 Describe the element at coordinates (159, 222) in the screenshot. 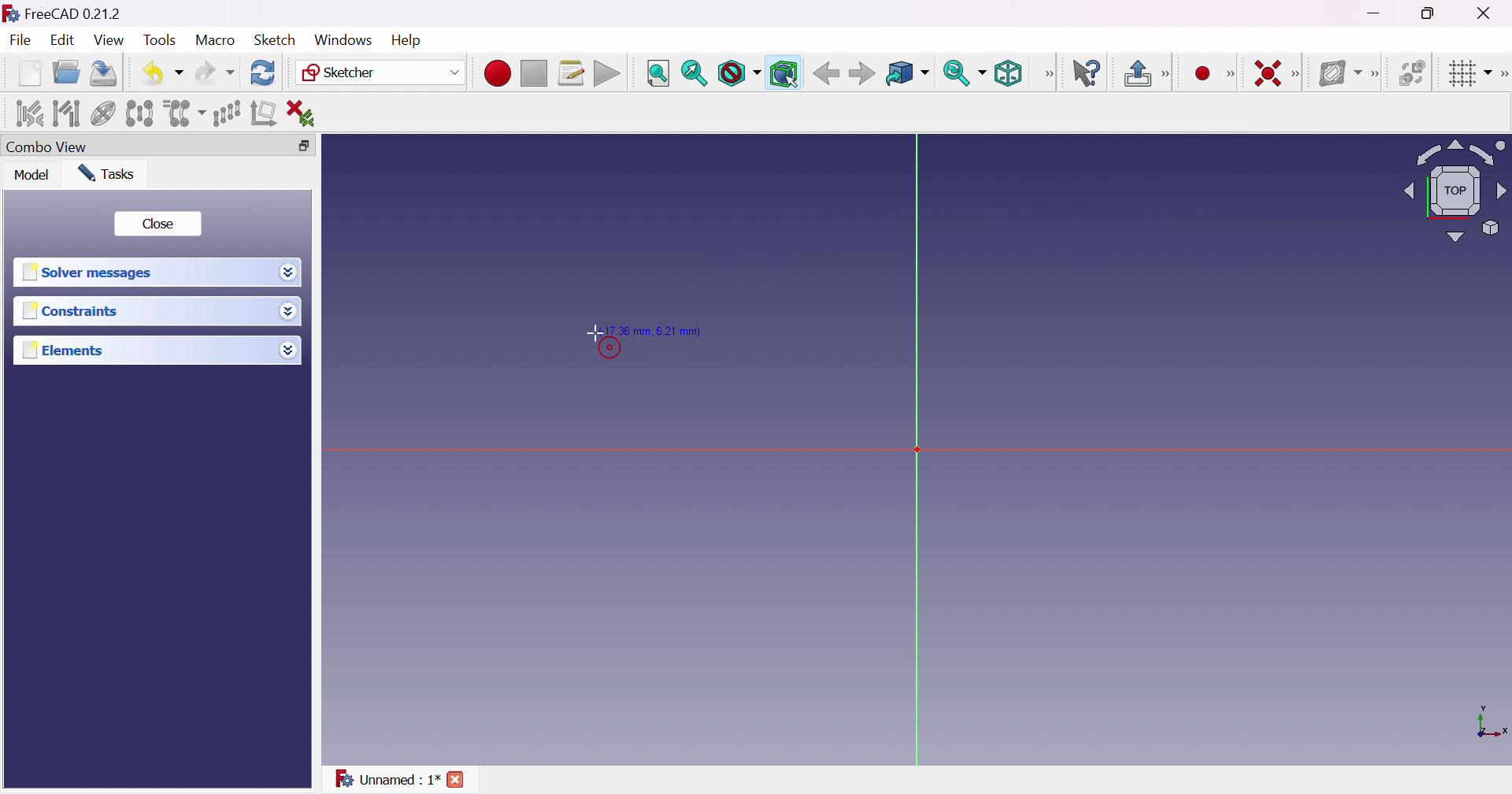

I see `Close` at that location.